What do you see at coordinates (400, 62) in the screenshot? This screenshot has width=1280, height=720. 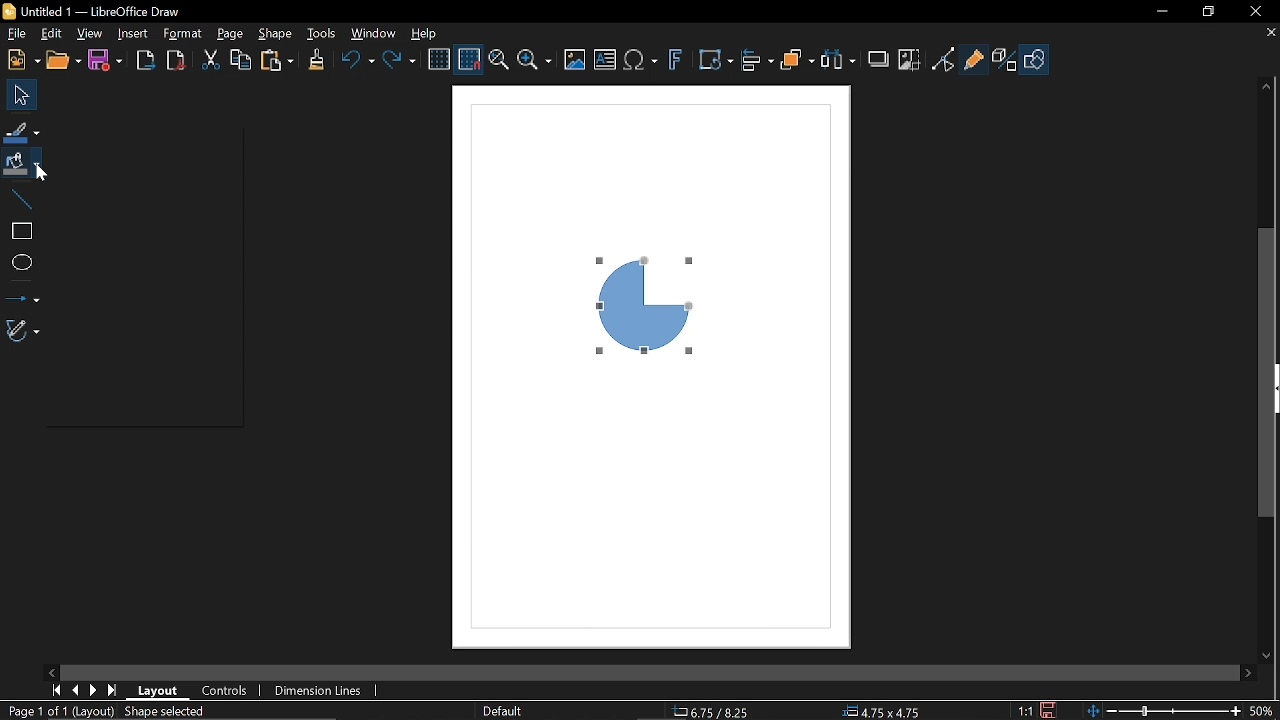 I see `Redo` at bounding box center [400, 62].